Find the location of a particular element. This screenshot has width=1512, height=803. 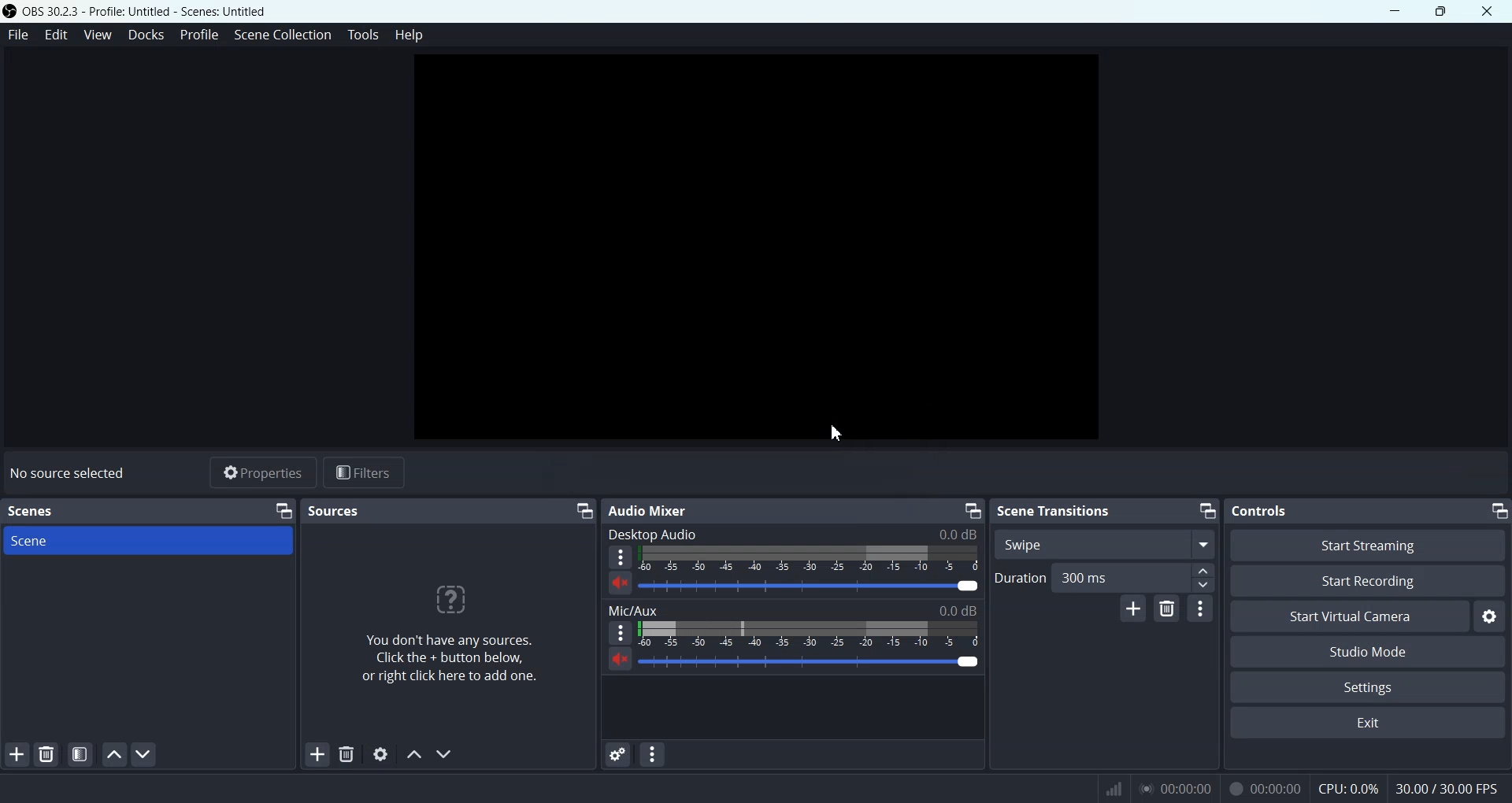

Start Streaming is located at coordinates (1366, 546).